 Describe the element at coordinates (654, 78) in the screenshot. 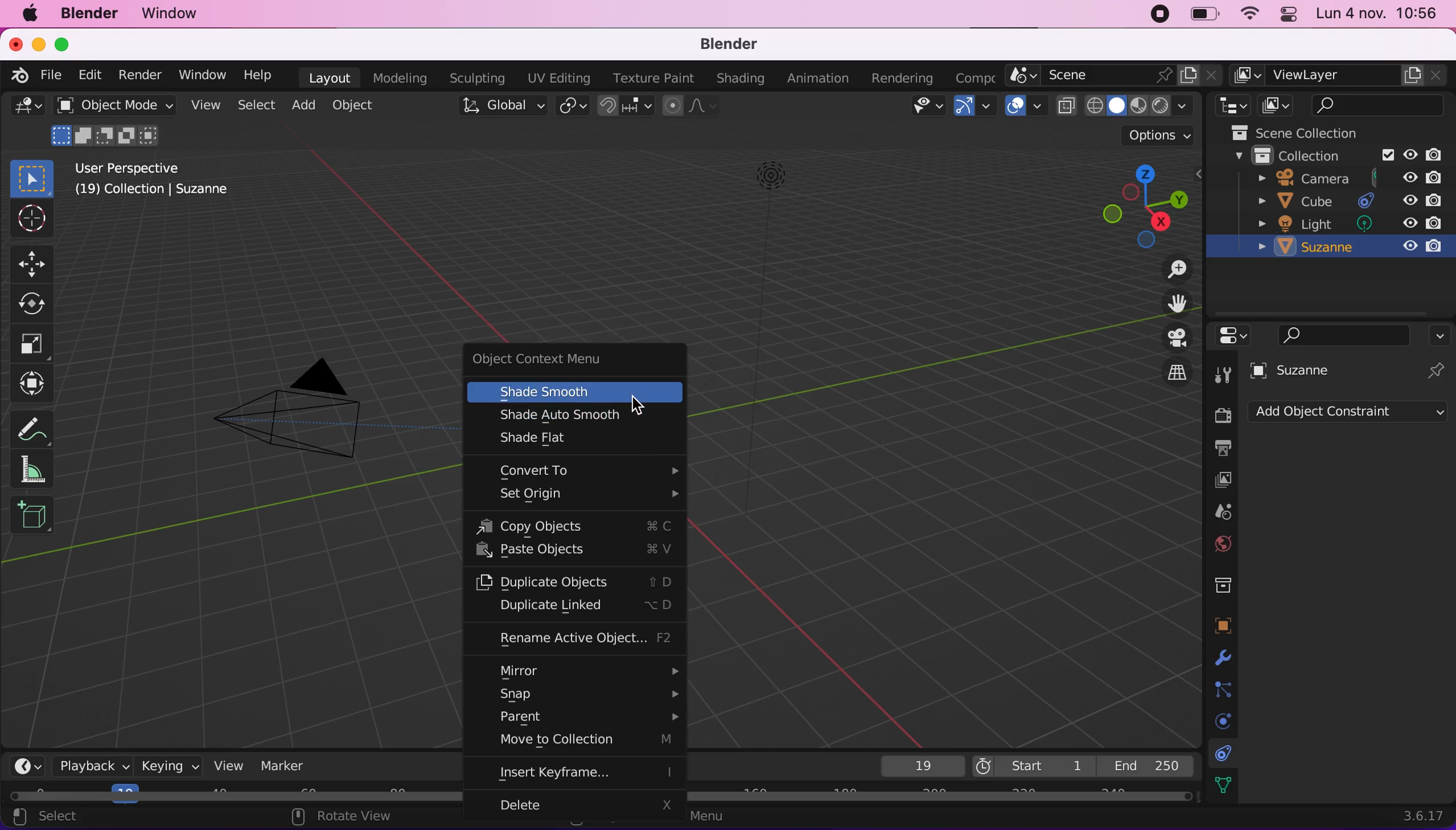

I see `texture paint` at that location.